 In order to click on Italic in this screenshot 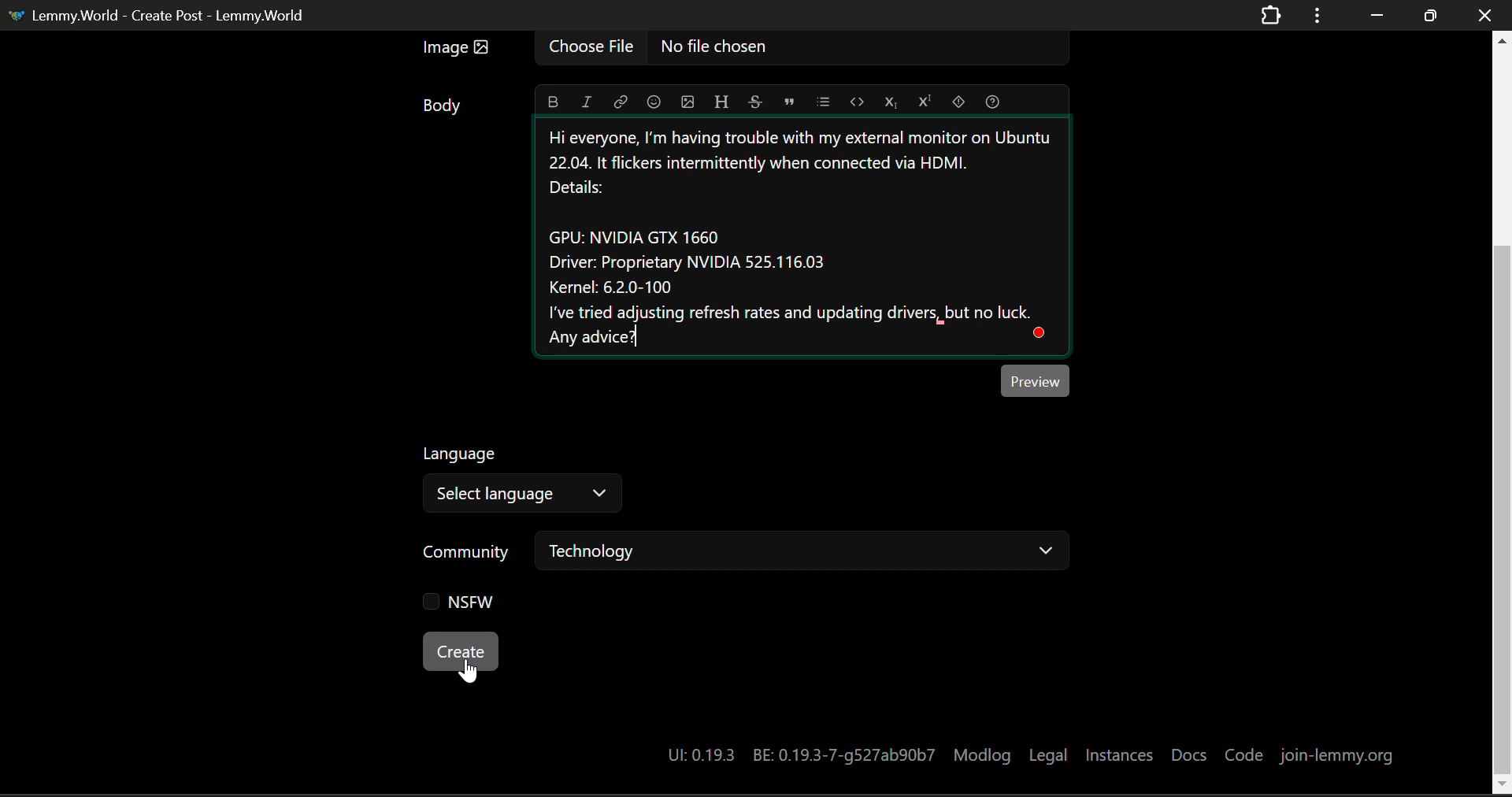, I will do `click(586, 101)`.